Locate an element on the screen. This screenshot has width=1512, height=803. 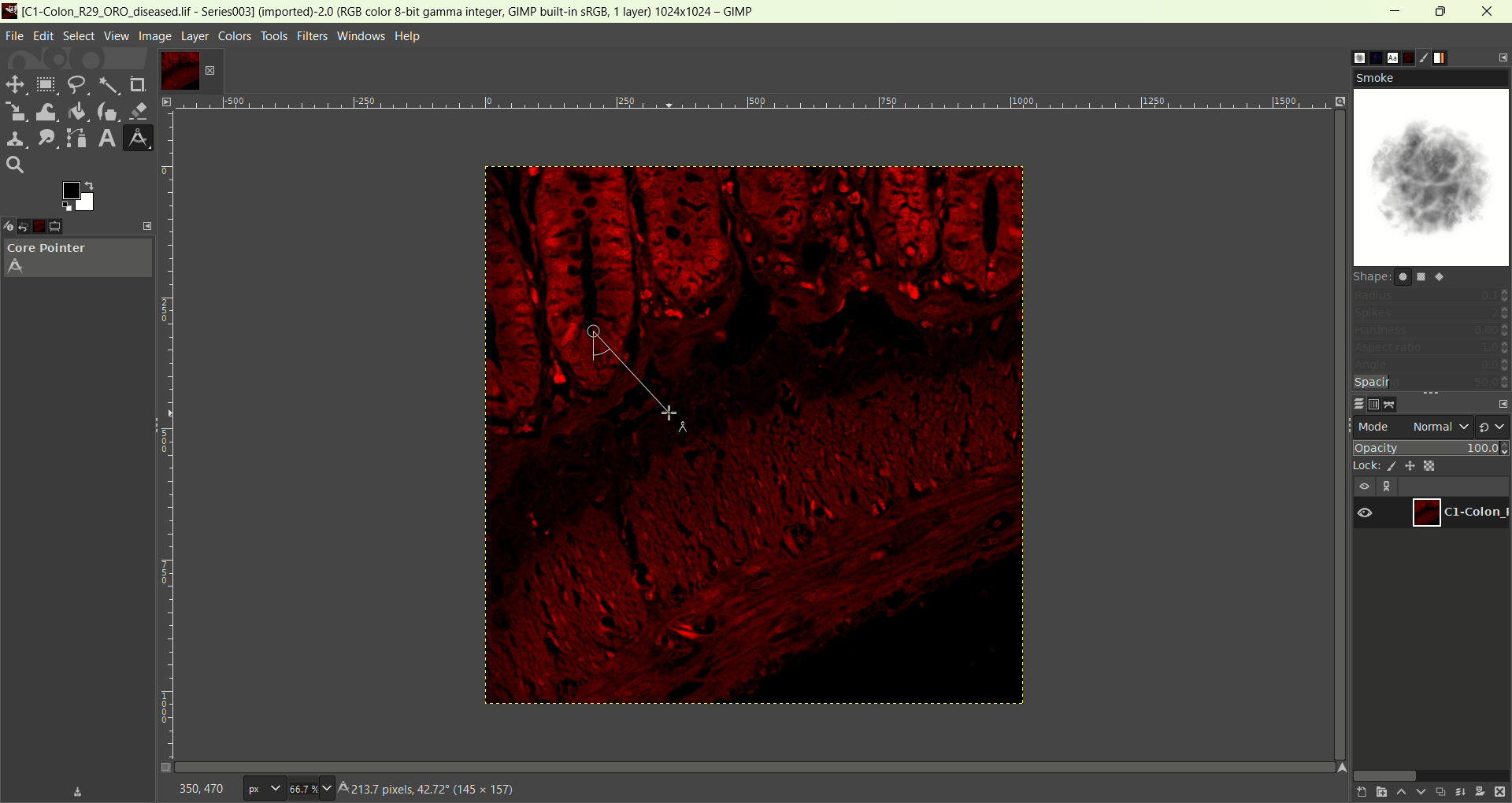
path tool is located at coordinates (73, 137).